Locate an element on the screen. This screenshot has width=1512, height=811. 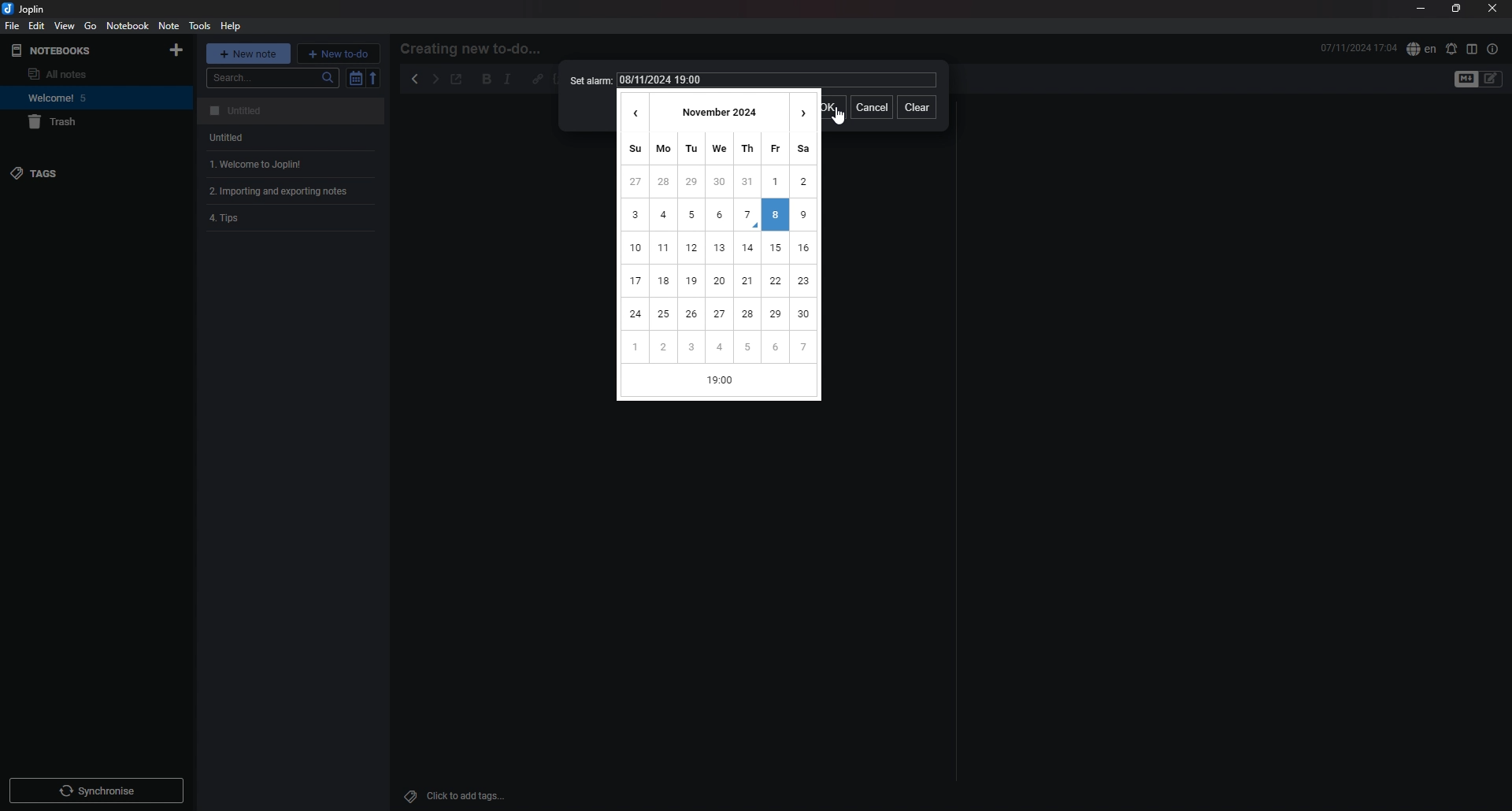
date selection is located at coordinates (719, 246).